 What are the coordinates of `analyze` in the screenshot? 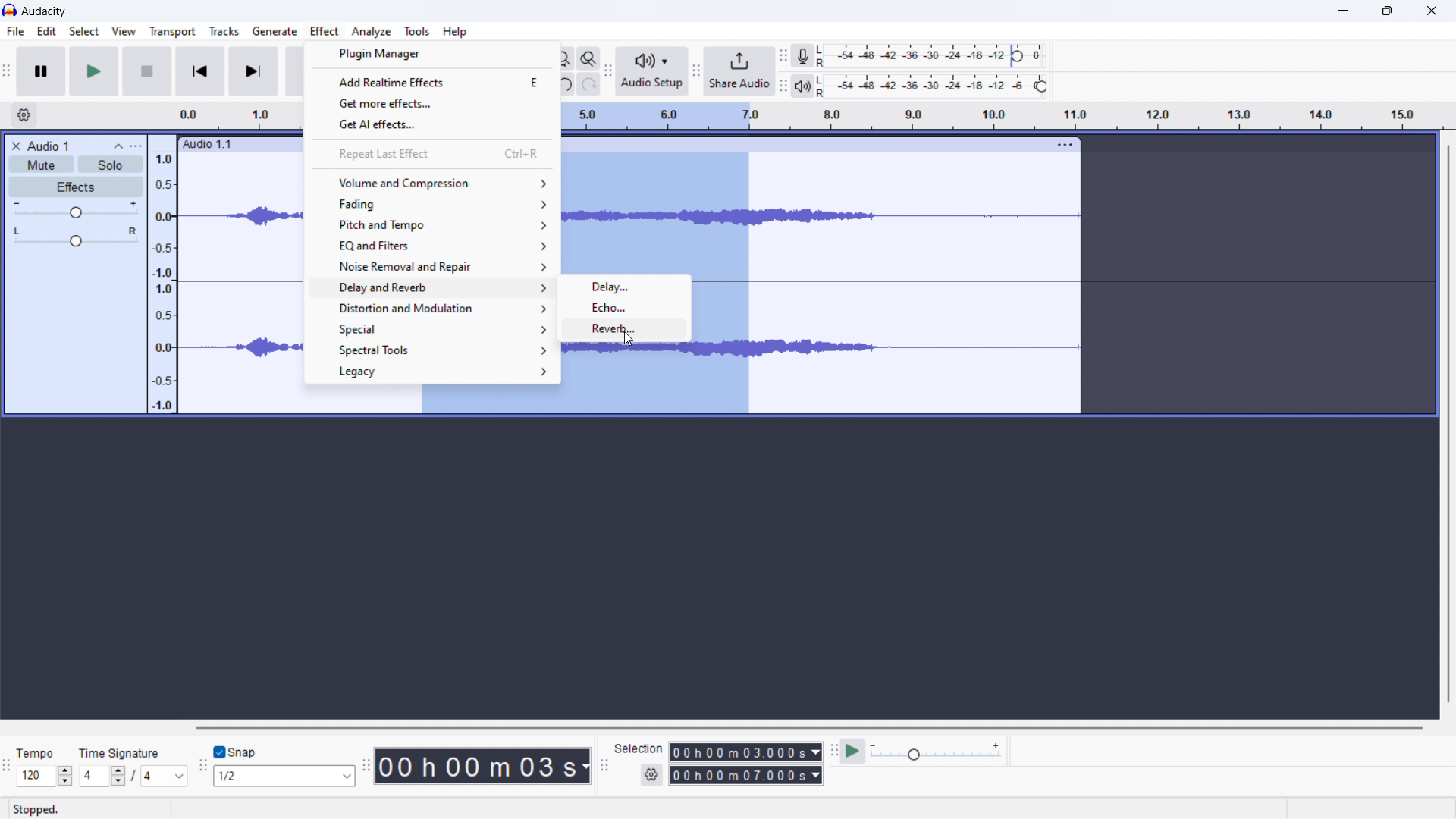 It's located at (372, 31).